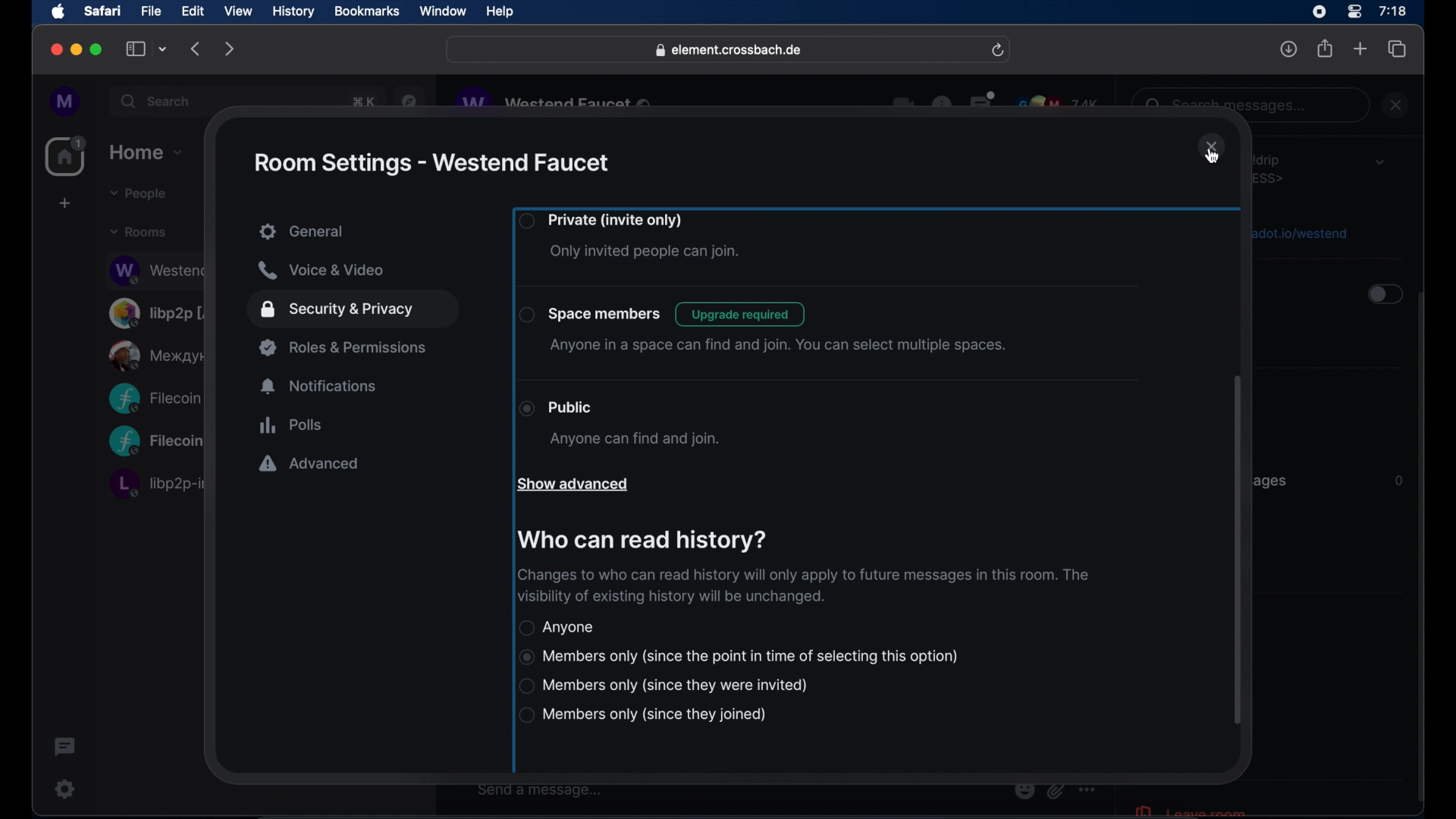  What do you see at coordinates (290, 425) in the screenshot?
I see `polls` at bounding box center [290, 425].